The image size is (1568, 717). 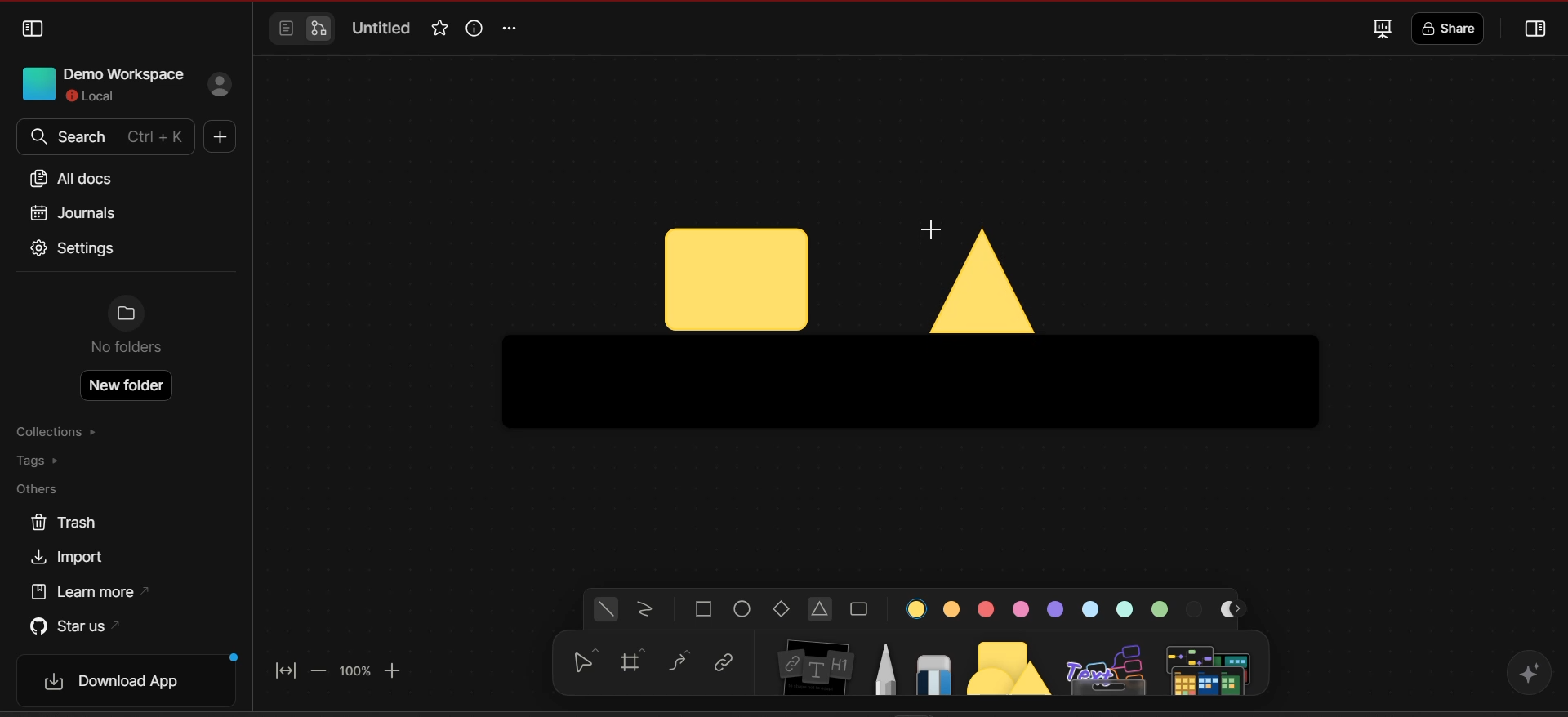 I want to click on link, so click(x=724, y=663).